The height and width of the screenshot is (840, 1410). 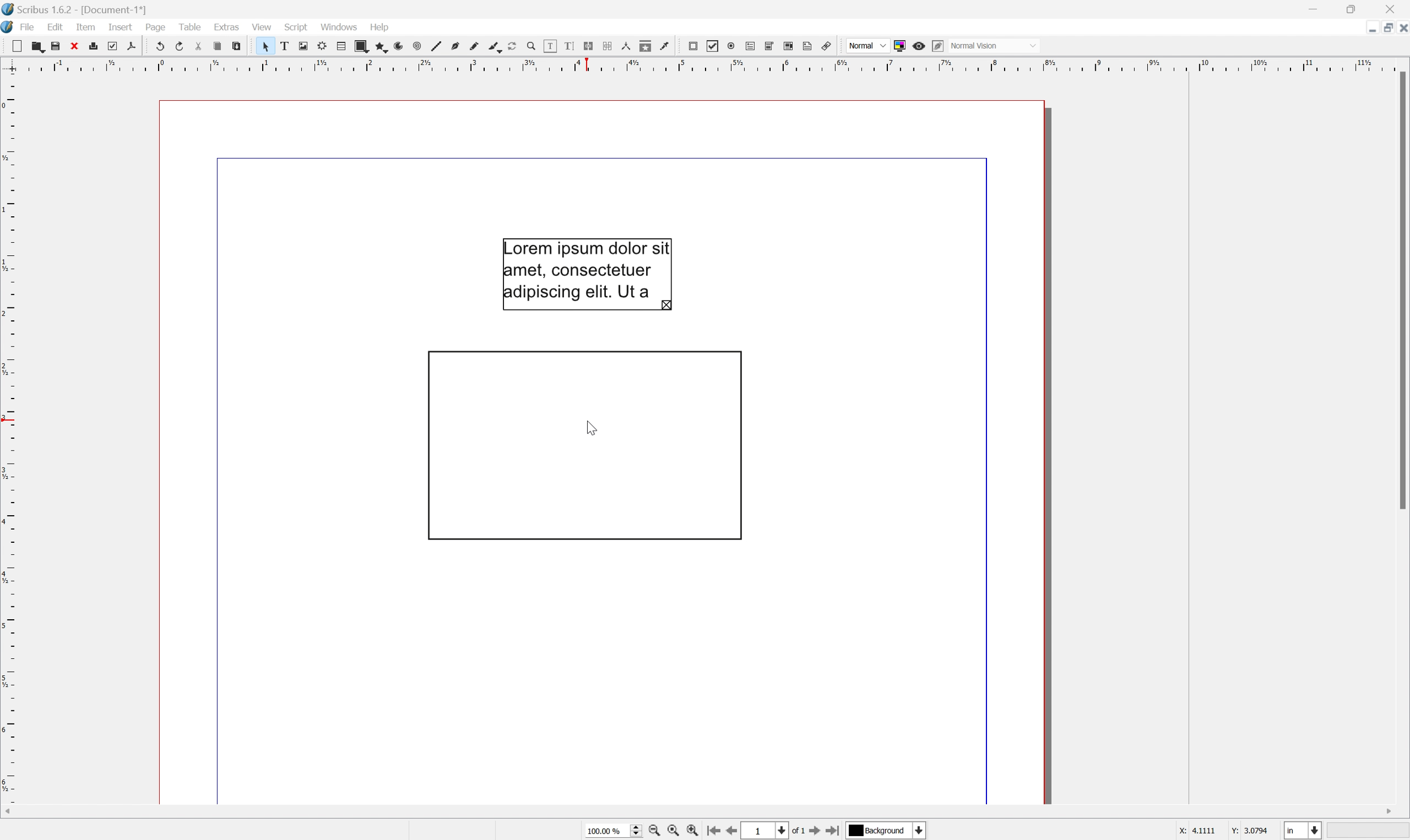 What do you see at coordinates (676, 832) in the screenshot?
I see `Zoom to 100%` at bounding box center [676, 832].